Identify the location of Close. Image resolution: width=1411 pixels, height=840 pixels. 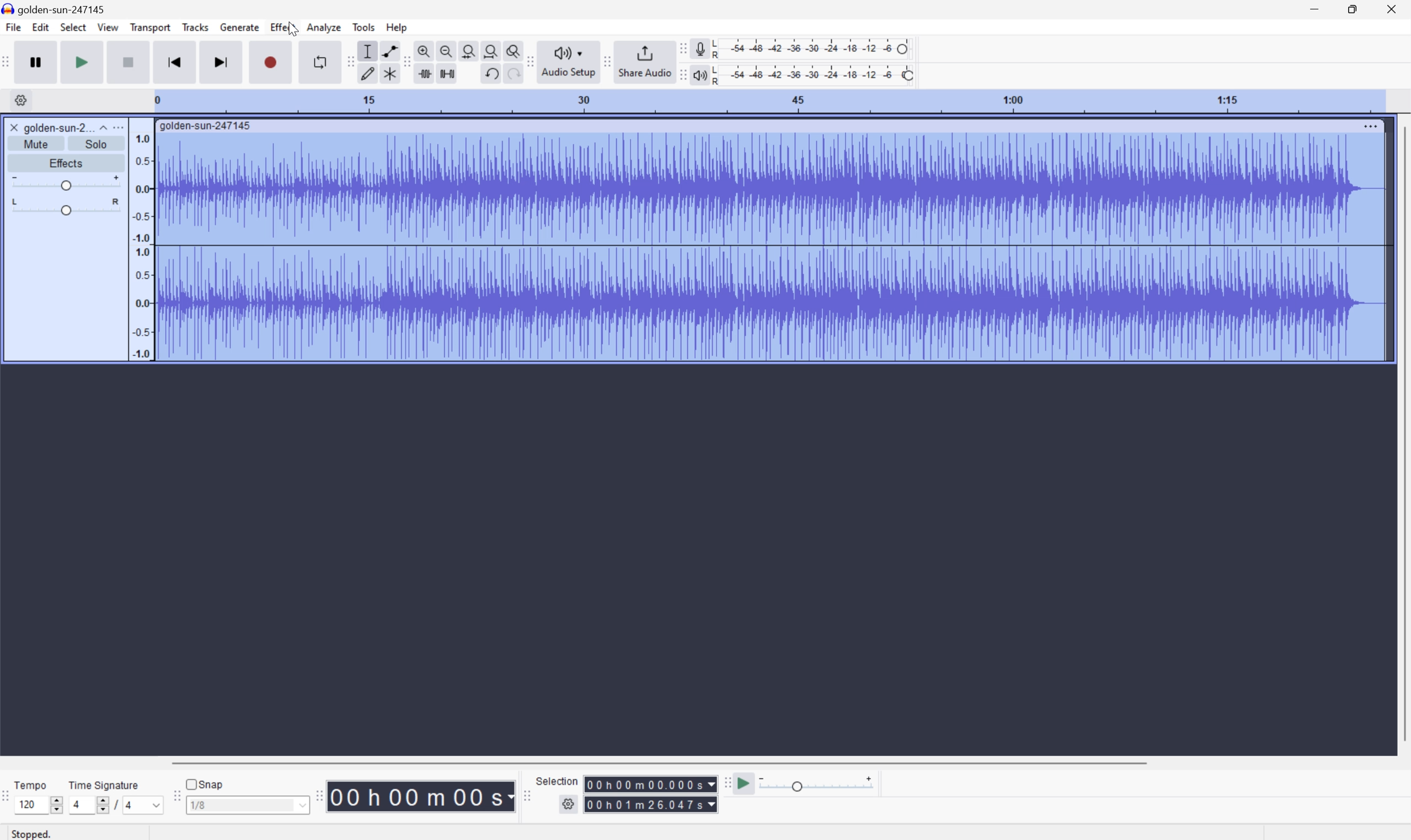
(14, 127).